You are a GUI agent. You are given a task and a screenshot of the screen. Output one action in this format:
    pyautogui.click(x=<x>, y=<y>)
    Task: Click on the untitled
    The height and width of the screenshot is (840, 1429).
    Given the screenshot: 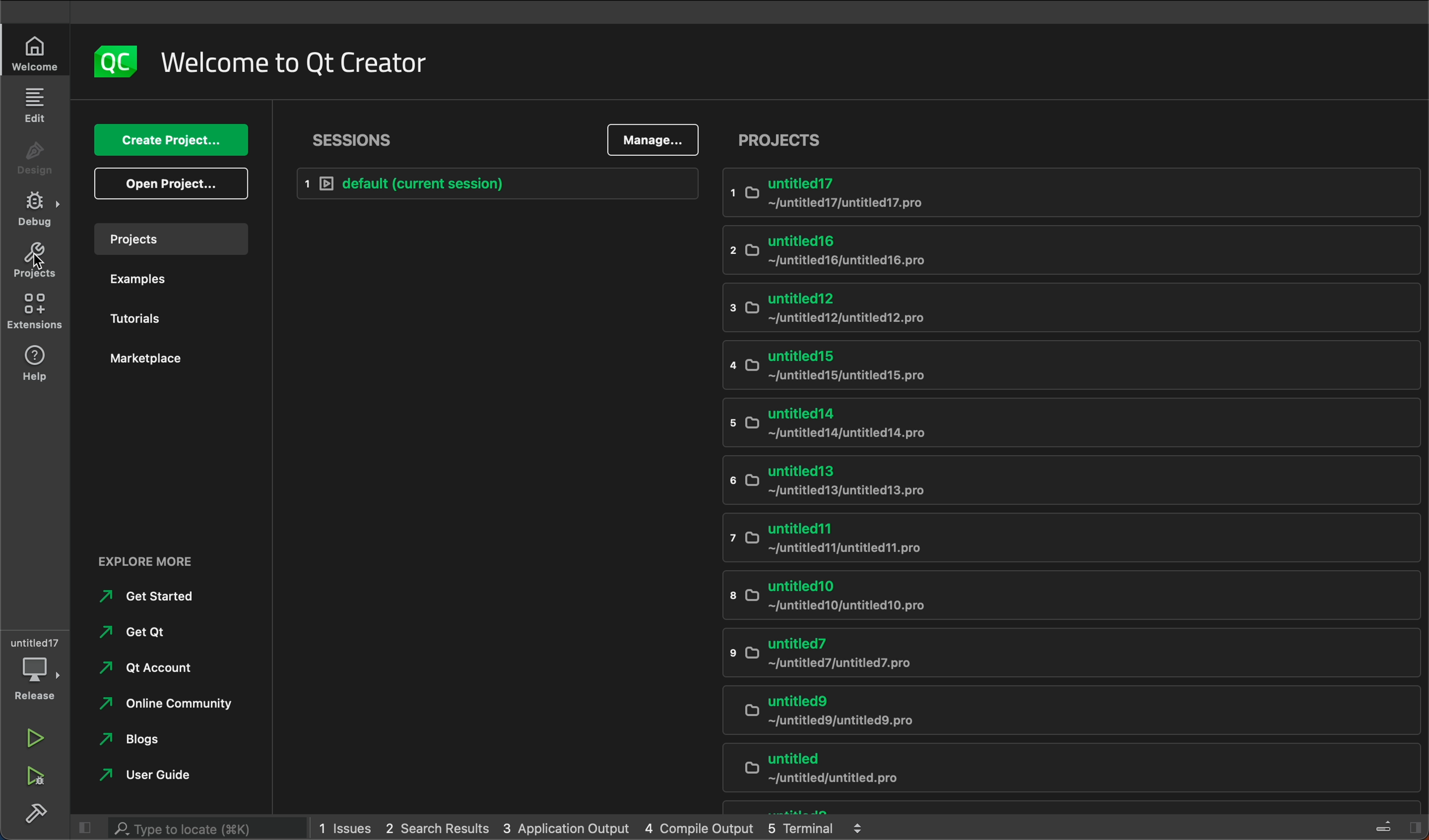 What is the action you would take?
    pyautogui.click(x=1059, y=767)
    